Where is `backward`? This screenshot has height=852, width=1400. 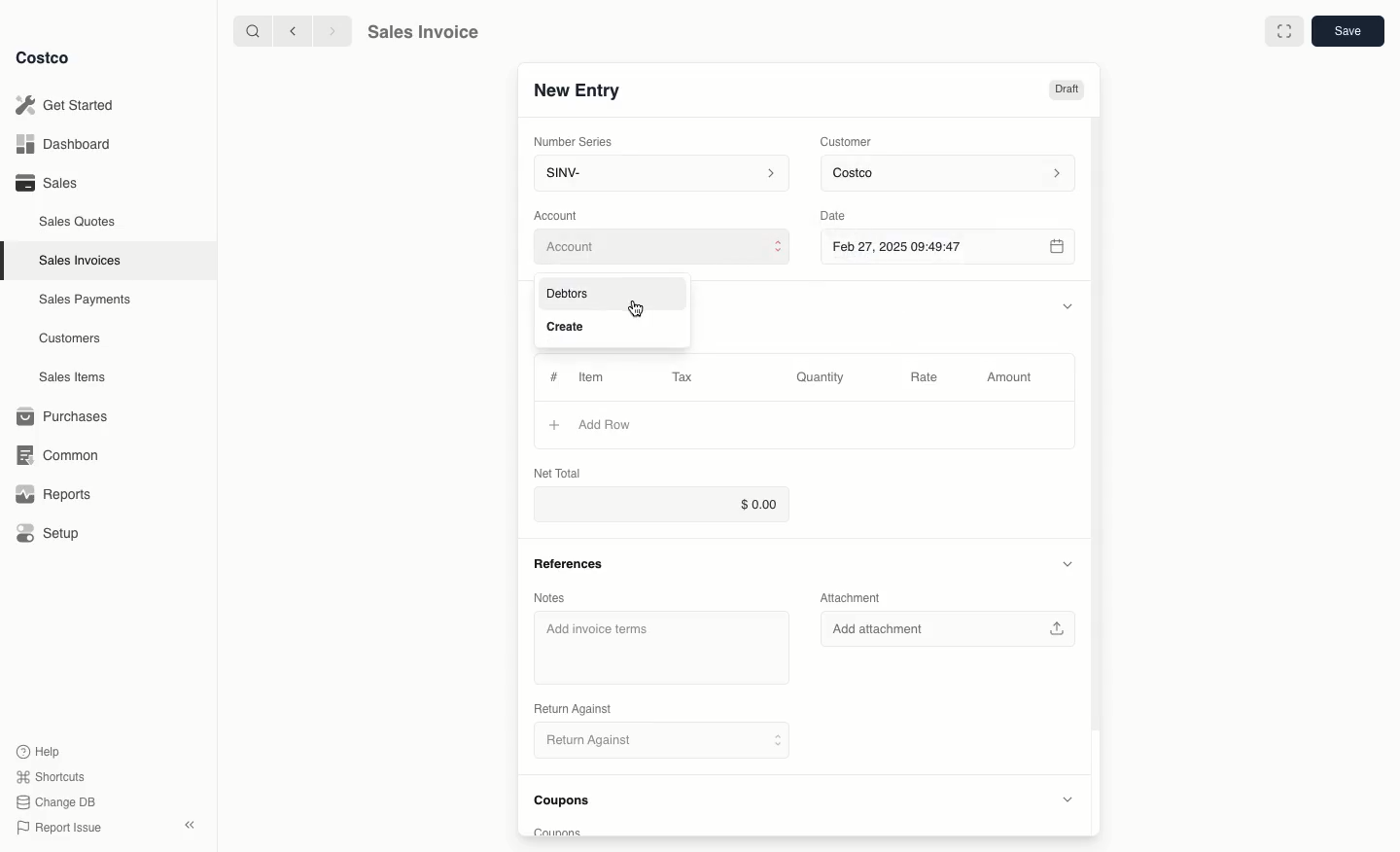 backward is located at coordinates (289, 30).